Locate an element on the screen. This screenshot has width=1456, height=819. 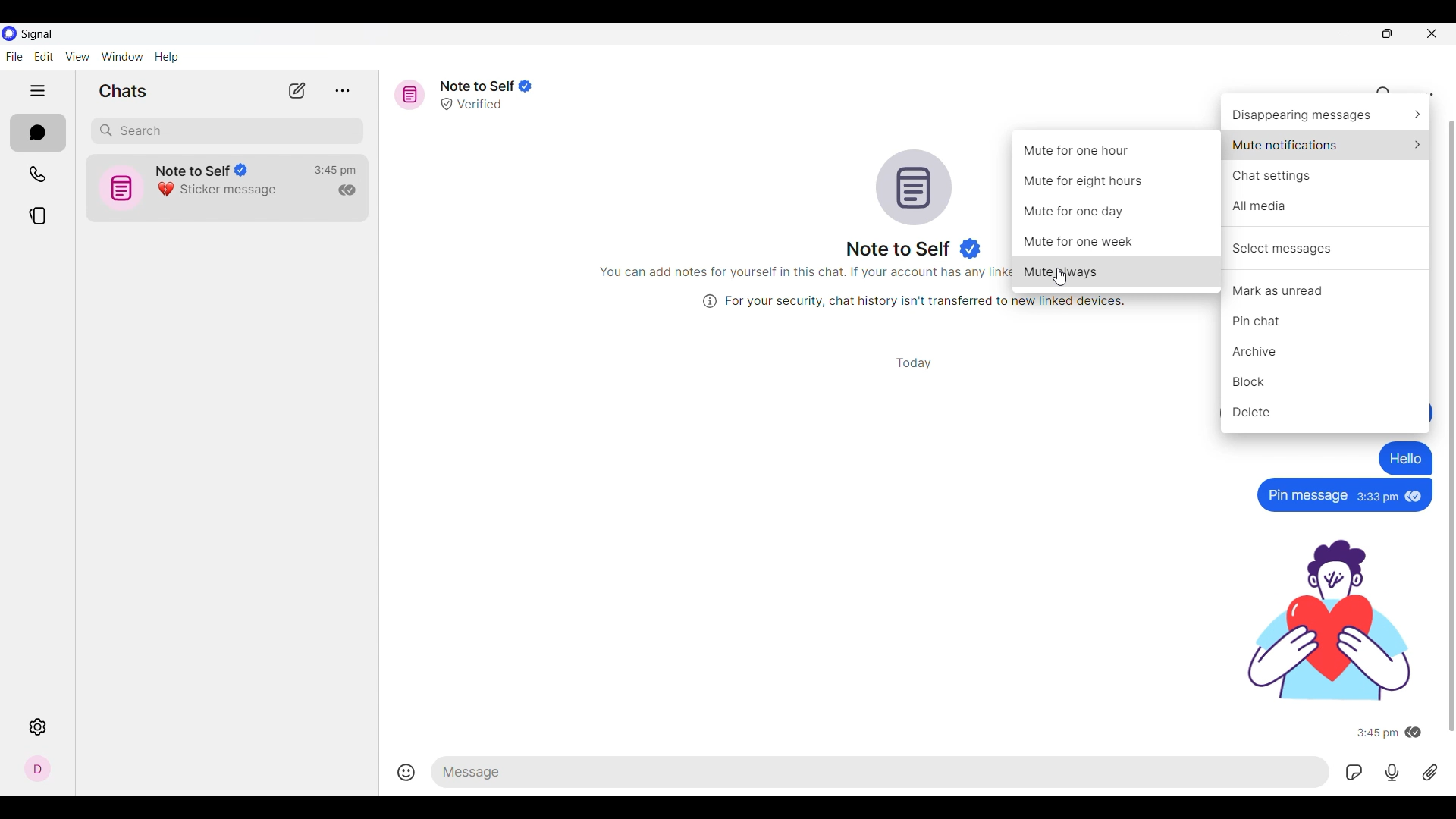
(i) For your security, chat history isn't transferred to new linked devices. is located at coordinates (908, 301).